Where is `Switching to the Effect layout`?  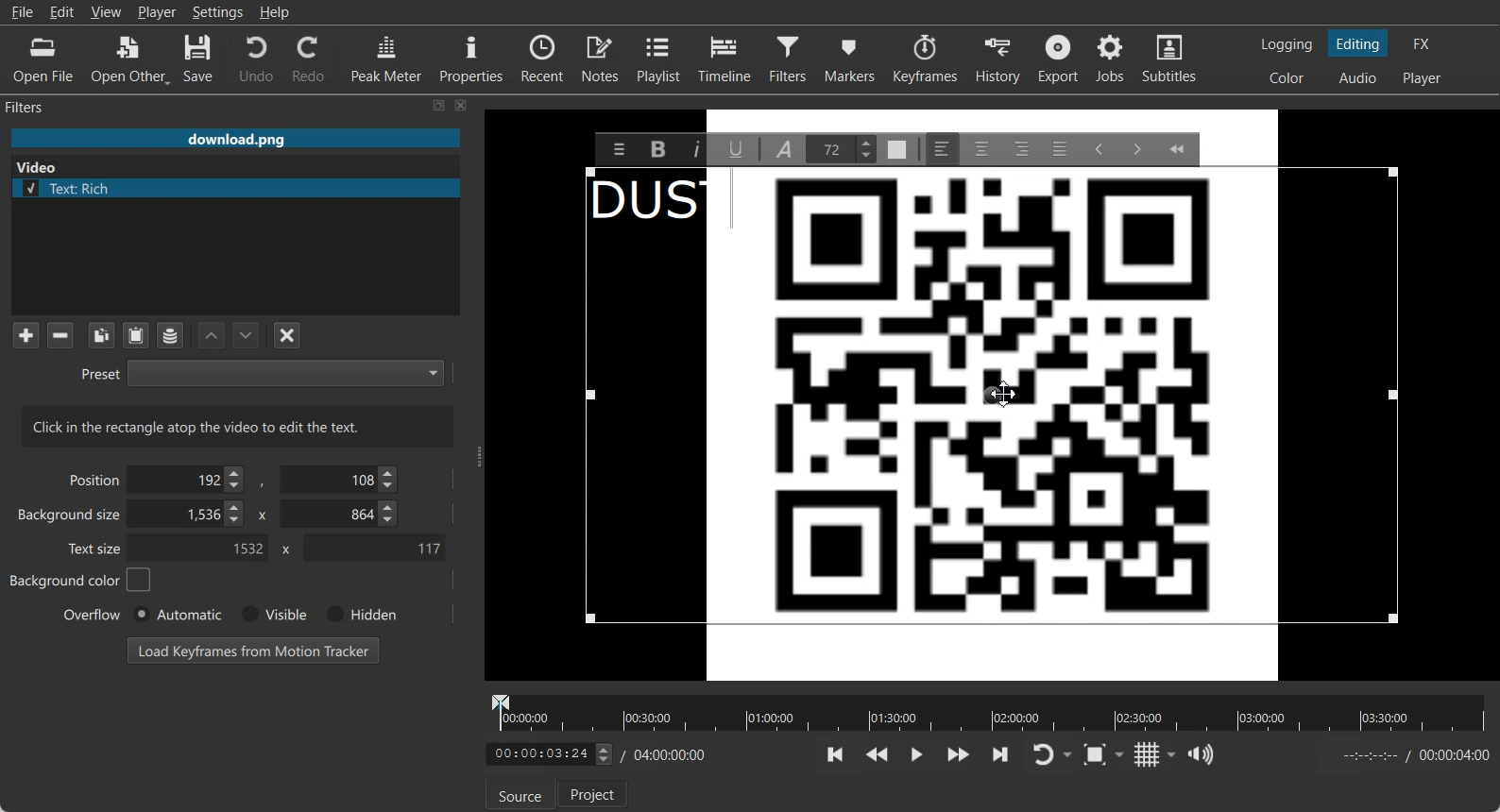 Switching to the Effect layout is located at coordinates (1423, 43).